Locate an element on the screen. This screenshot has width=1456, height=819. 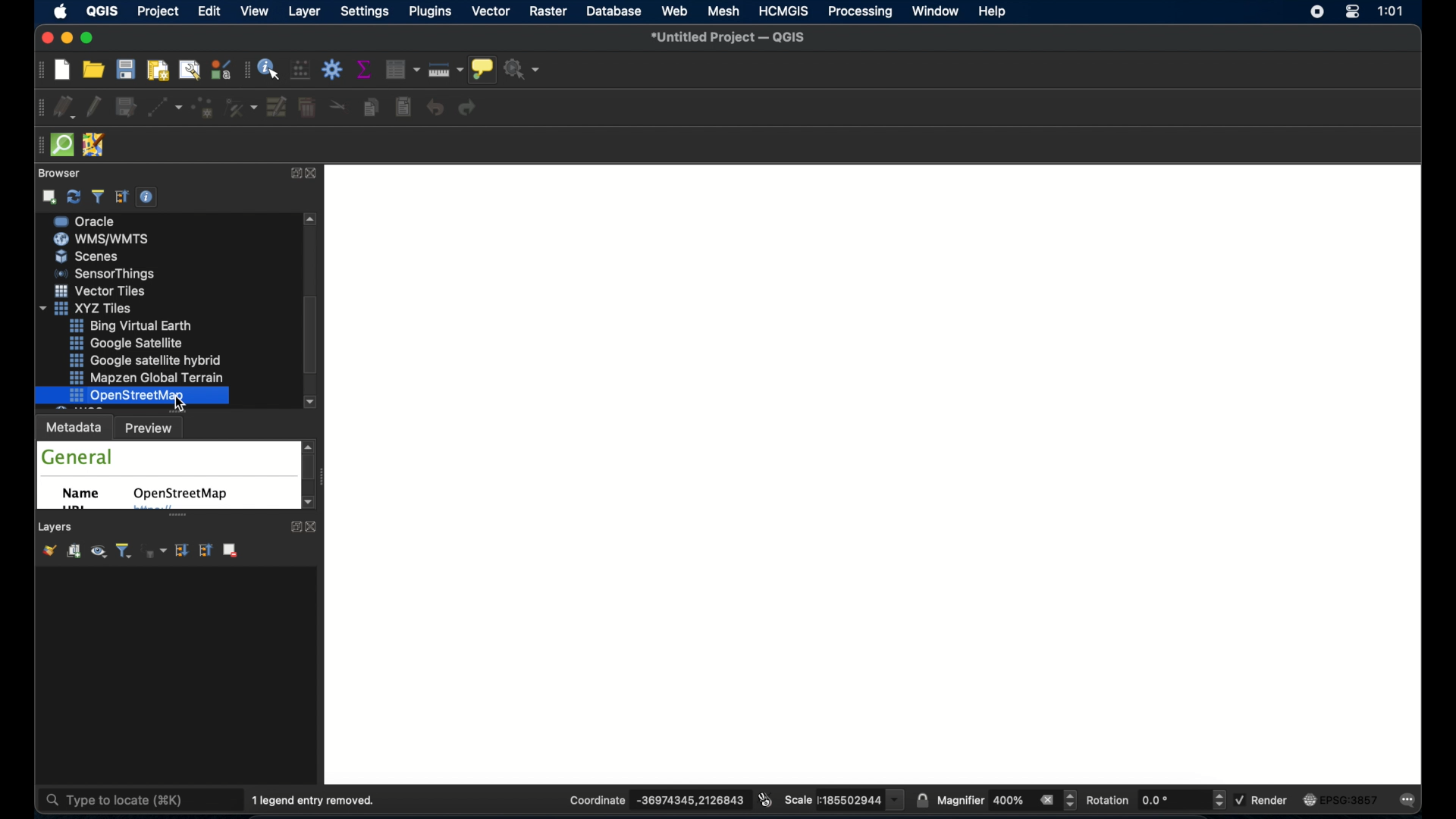
layers is located at coordinates (57, 527).